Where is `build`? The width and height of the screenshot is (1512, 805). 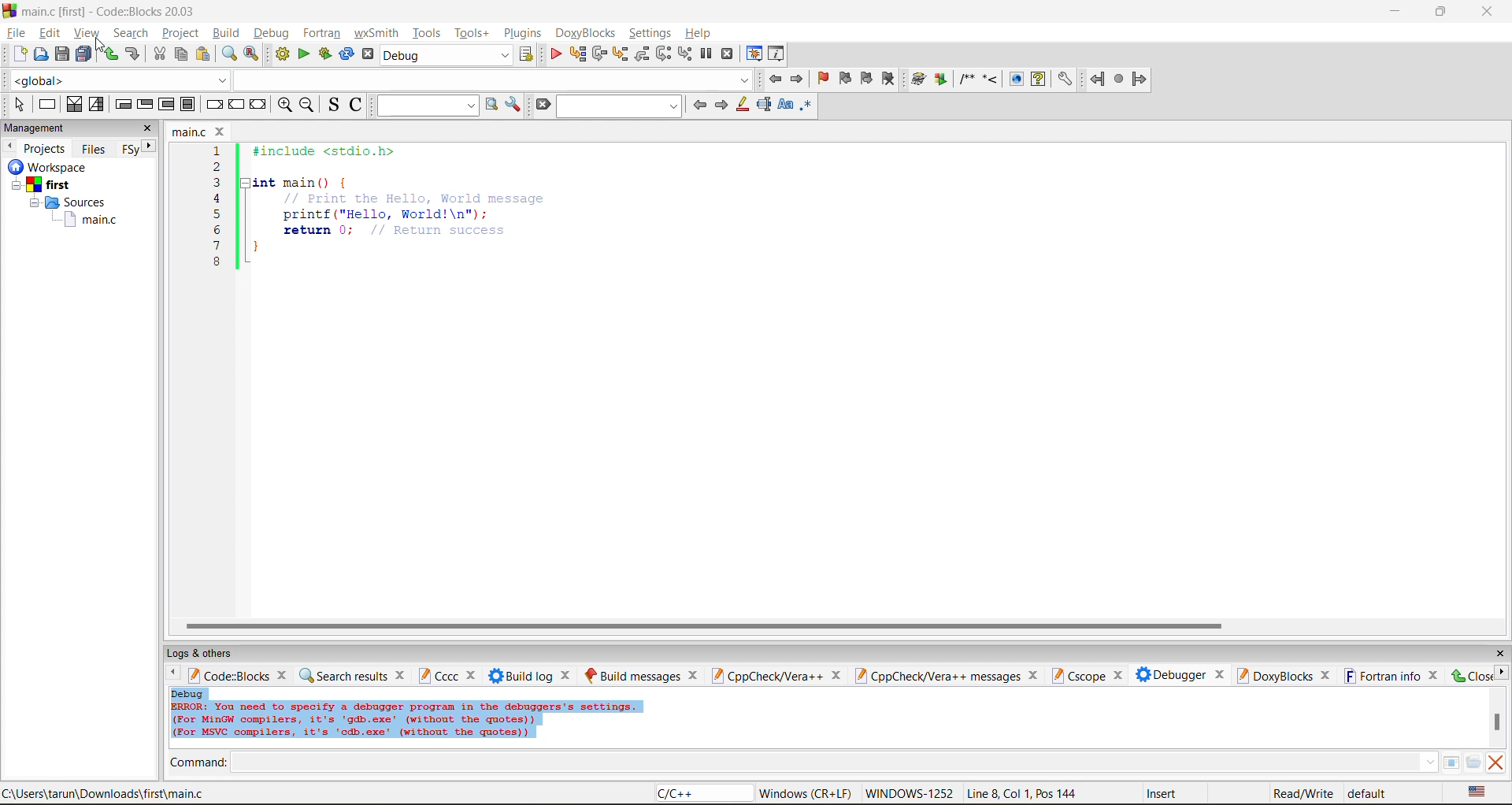 build is located at coordinates (280, 54).